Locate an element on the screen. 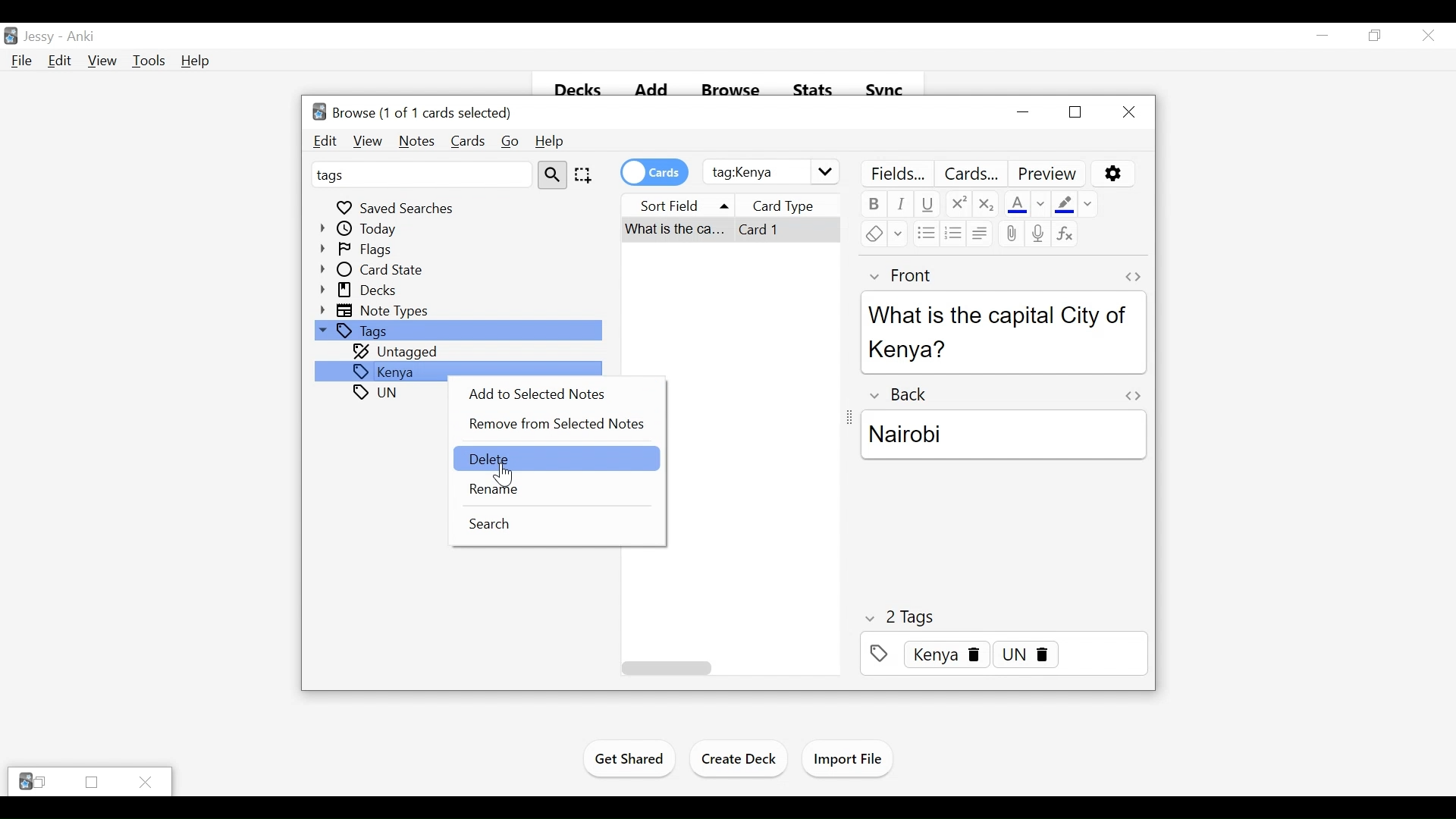 This screenshot has height=819, width=1456. Help is located at coordinates (548, 142).